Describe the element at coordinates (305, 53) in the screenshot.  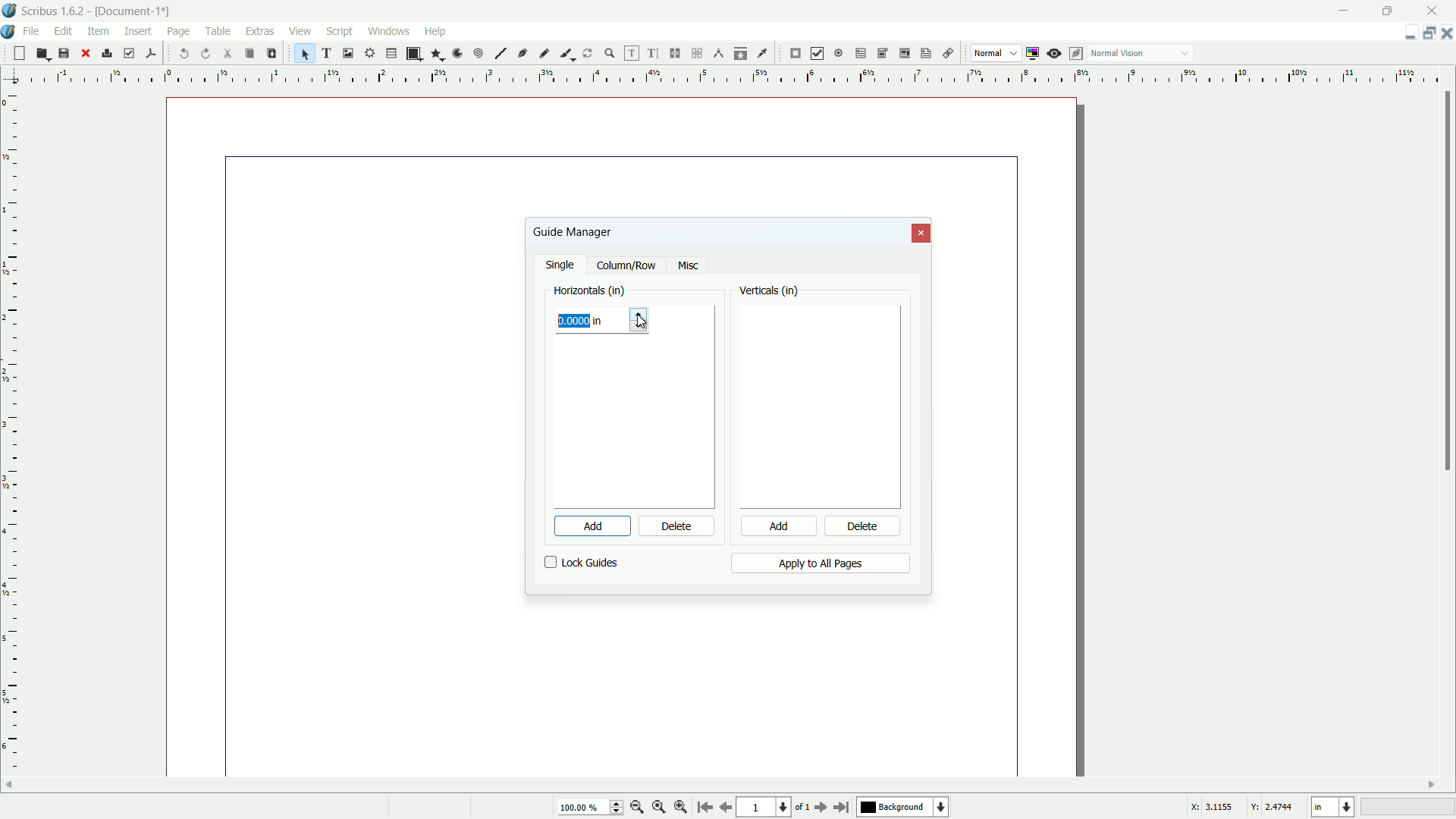
I see `select item` at that location.